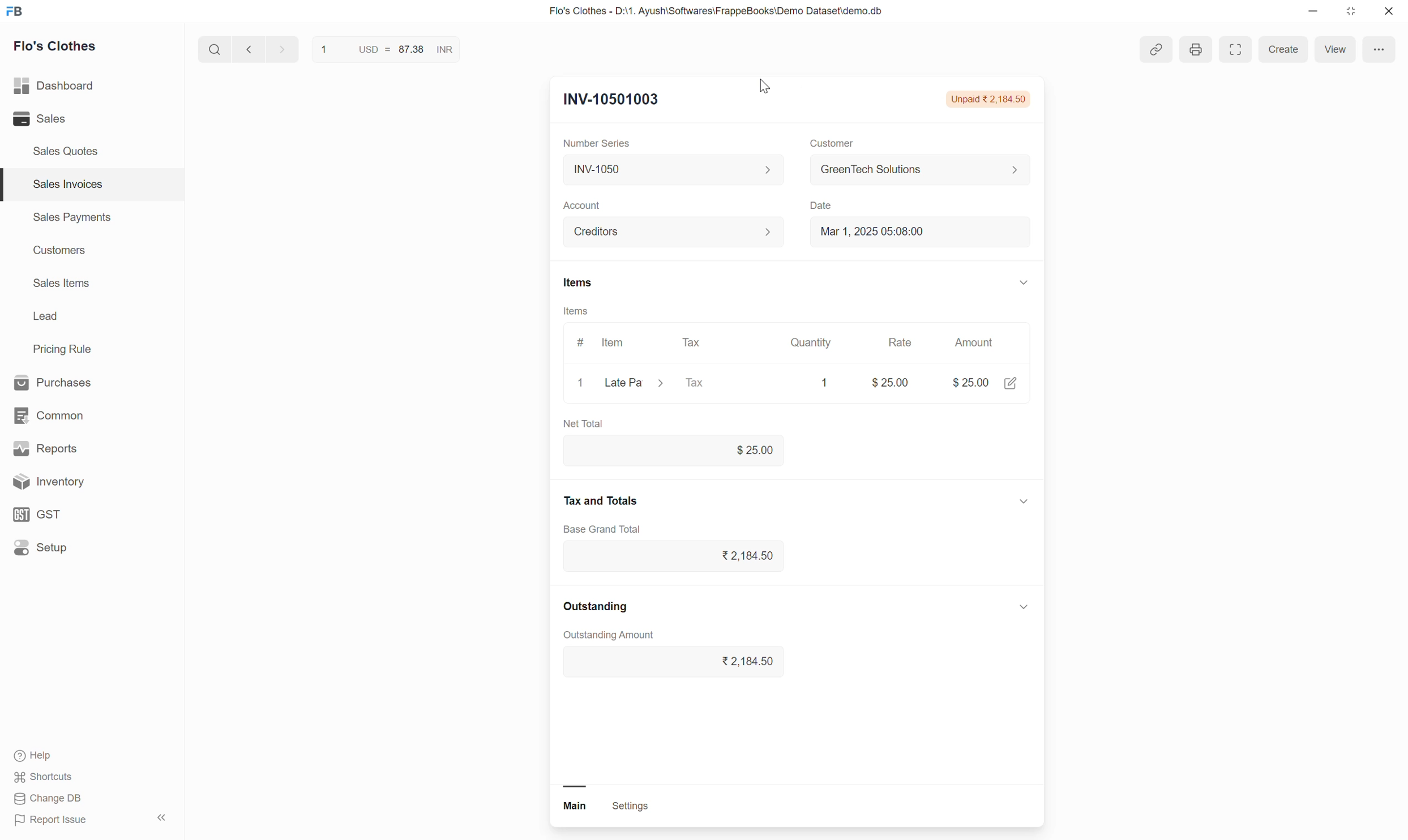  Describe the element at coordinates (606, 607) in the screenshot. I see `Outstanding` at that location.